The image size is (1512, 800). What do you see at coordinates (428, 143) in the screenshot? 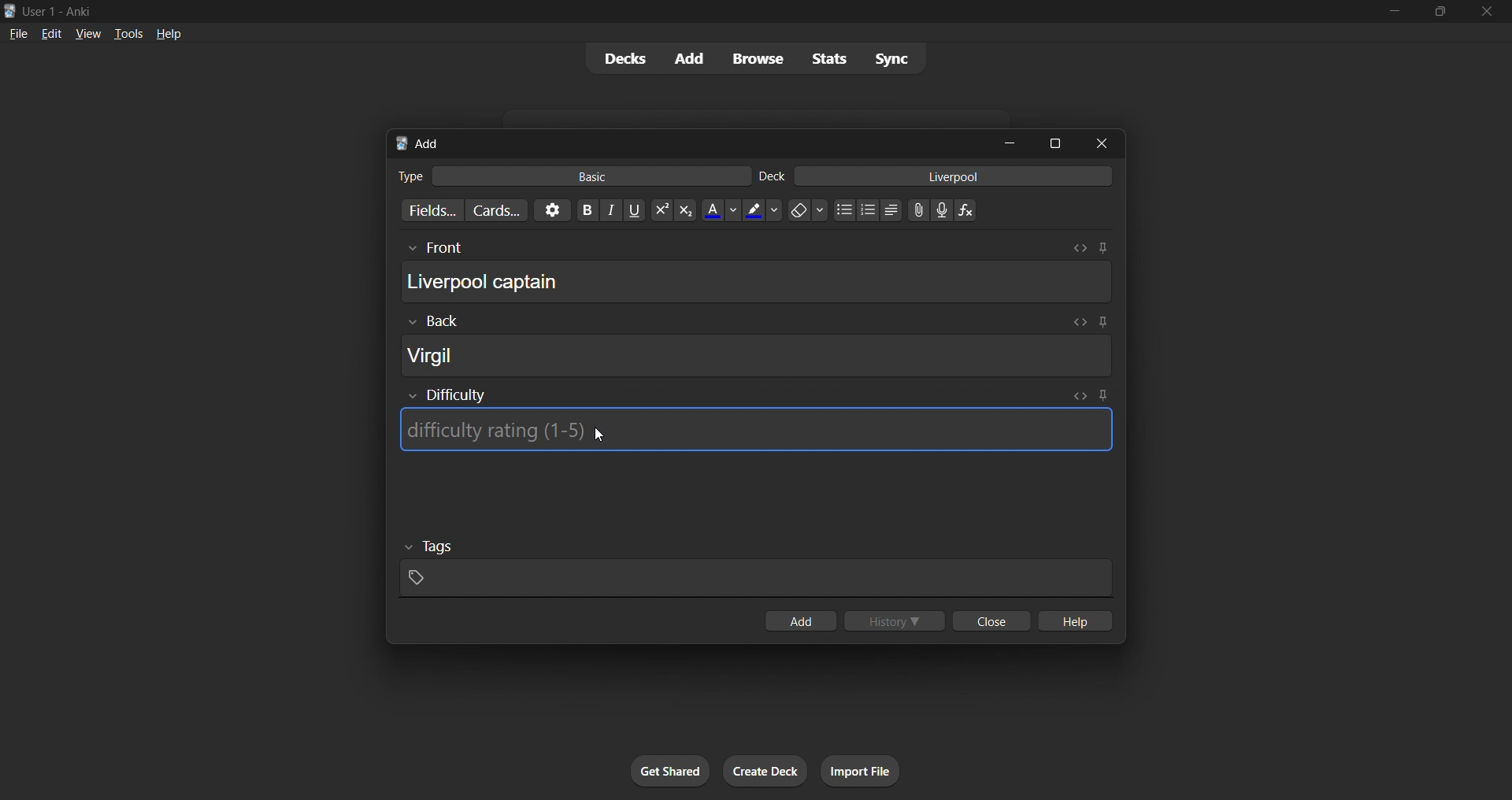
I see `add title bar` at bounding box center [428, 143].